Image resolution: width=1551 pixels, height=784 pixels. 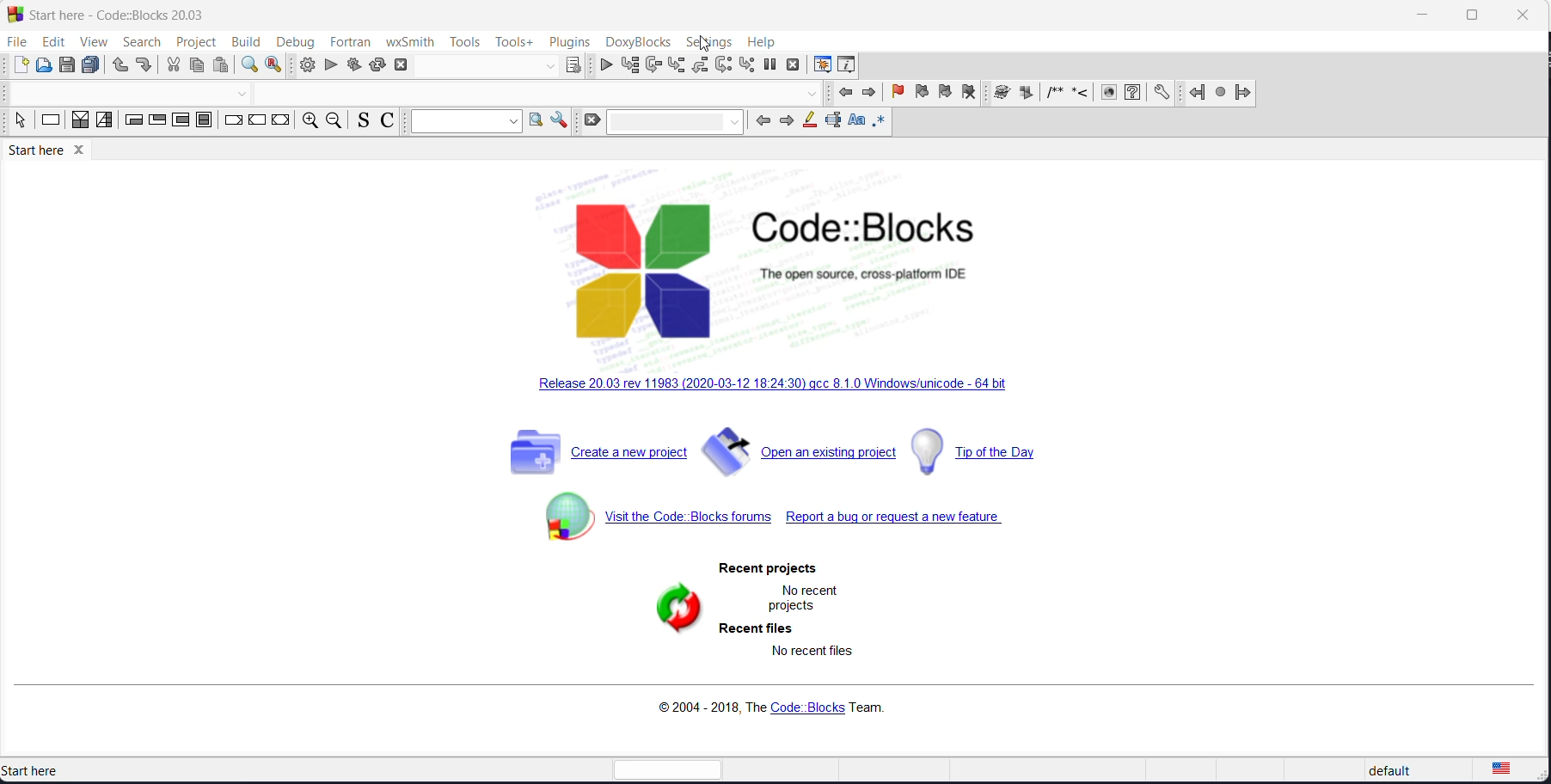 I want to click on create new project, so click(x=591, y=455).